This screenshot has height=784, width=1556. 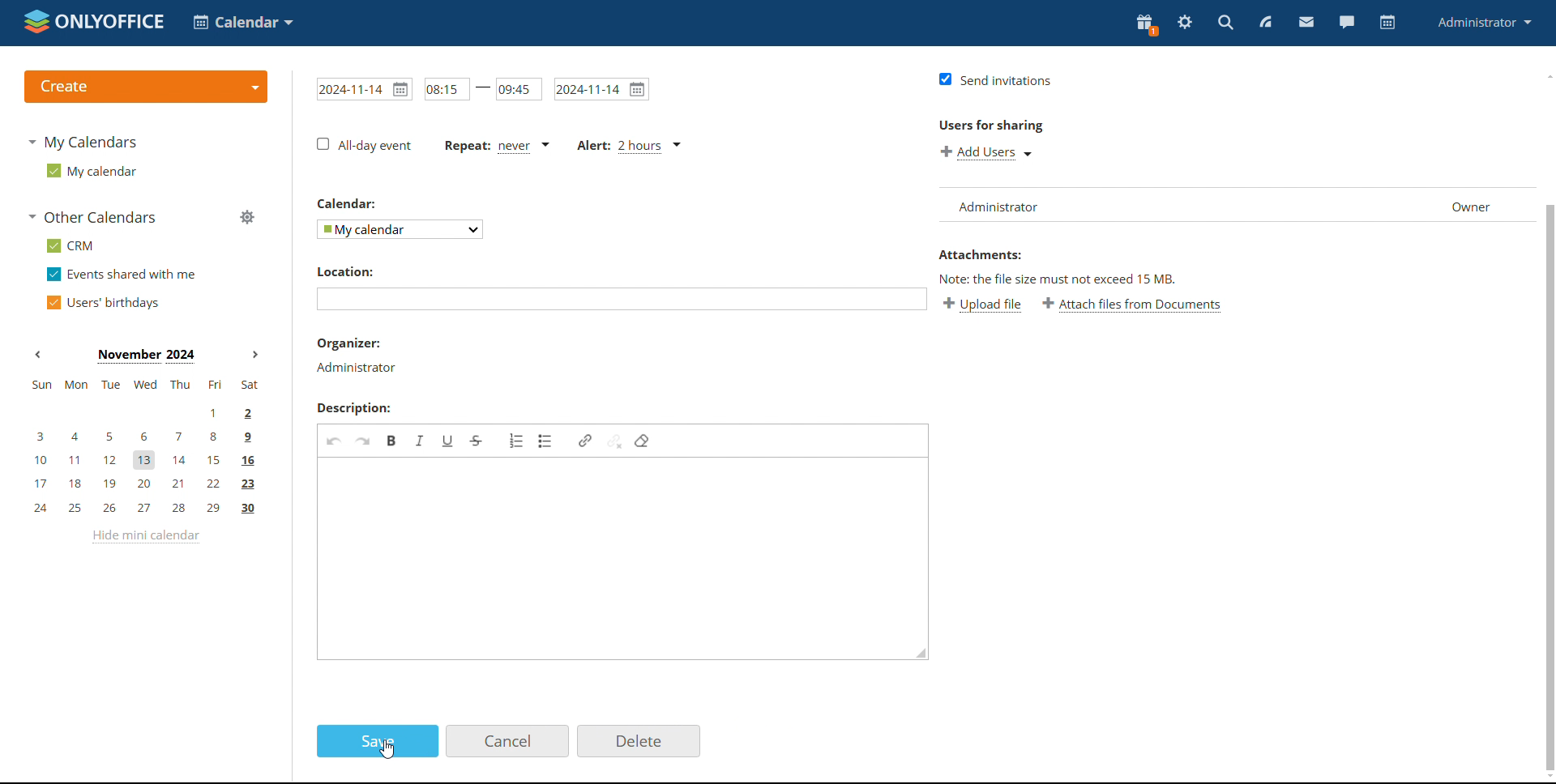 I want to click on attach file from documents, so click(x=1130, y=303).